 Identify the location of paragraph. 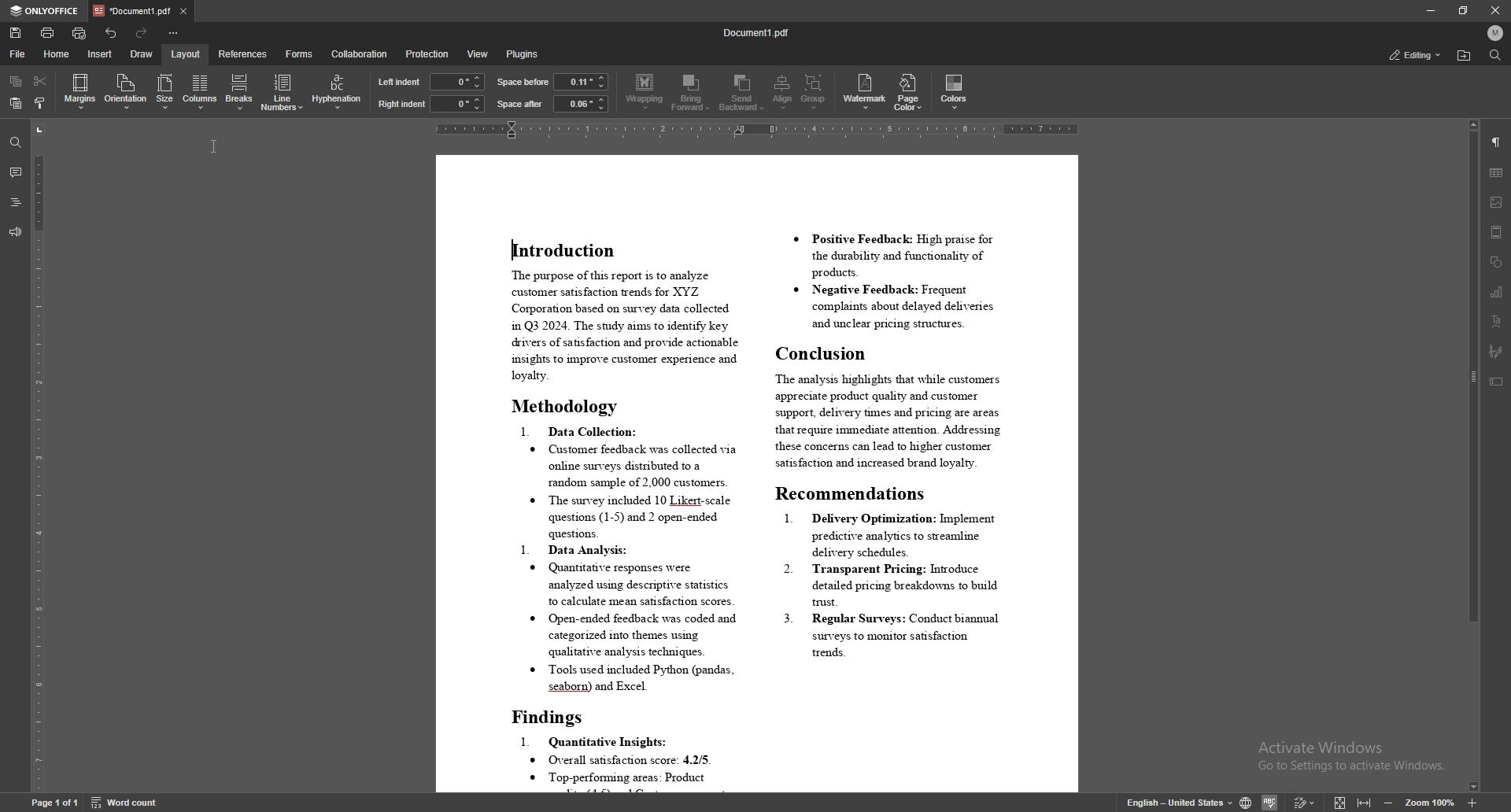
(1497, 142).